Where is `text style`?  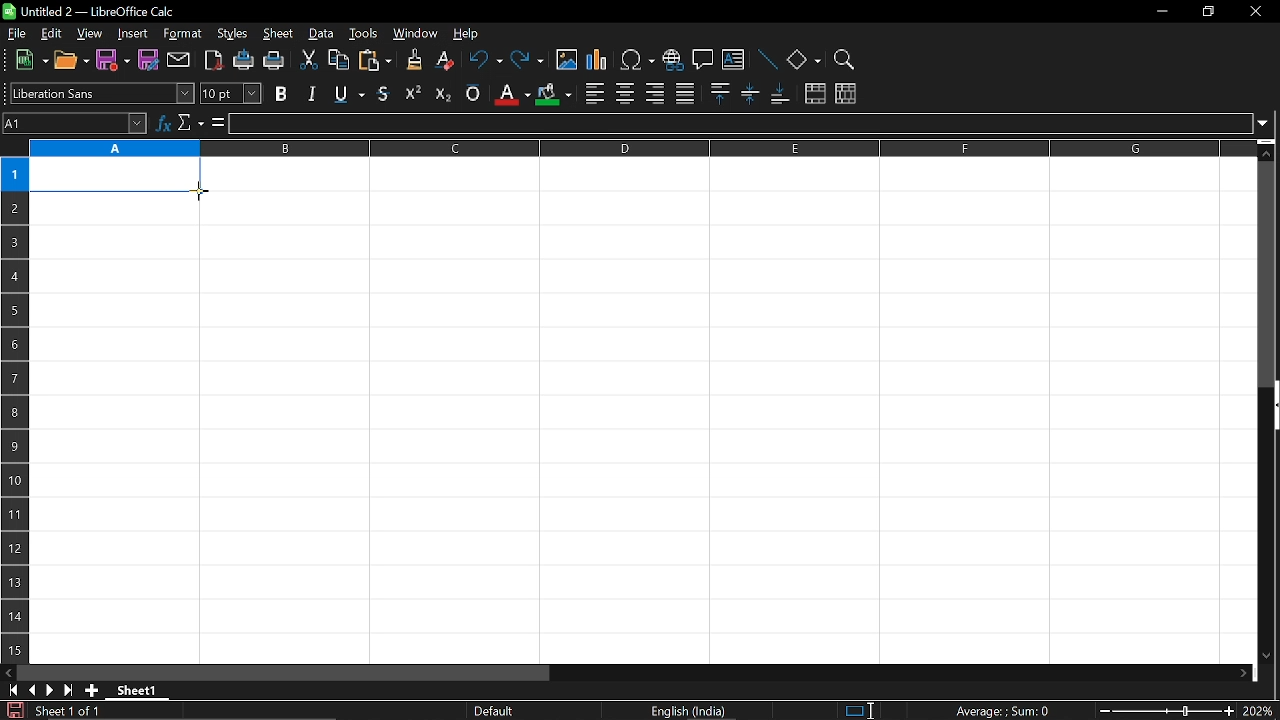
text style is located at coordinates (103, 94).